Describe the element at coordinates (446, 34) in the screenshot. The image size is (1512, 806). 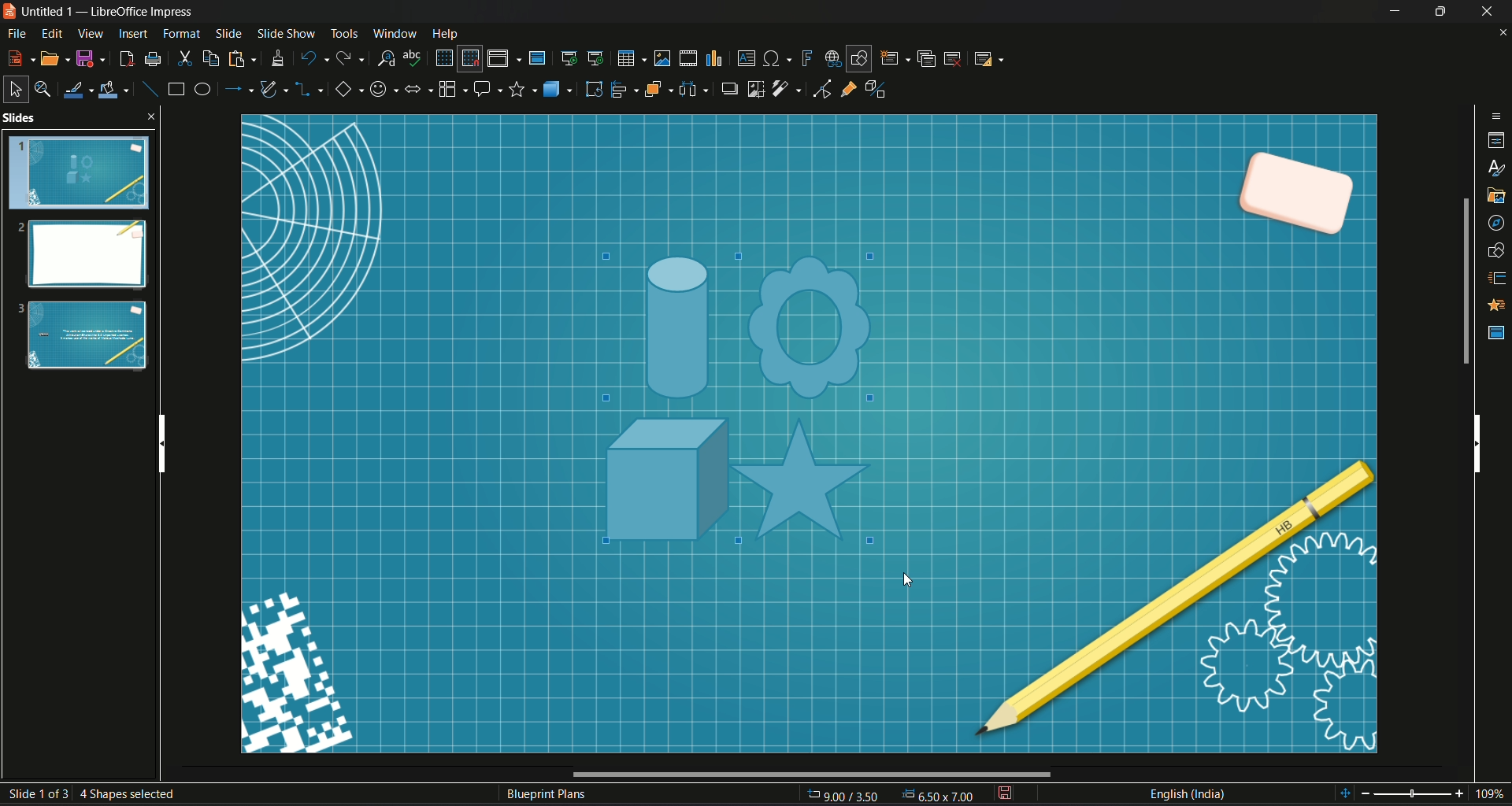
I see `Help` at that location.